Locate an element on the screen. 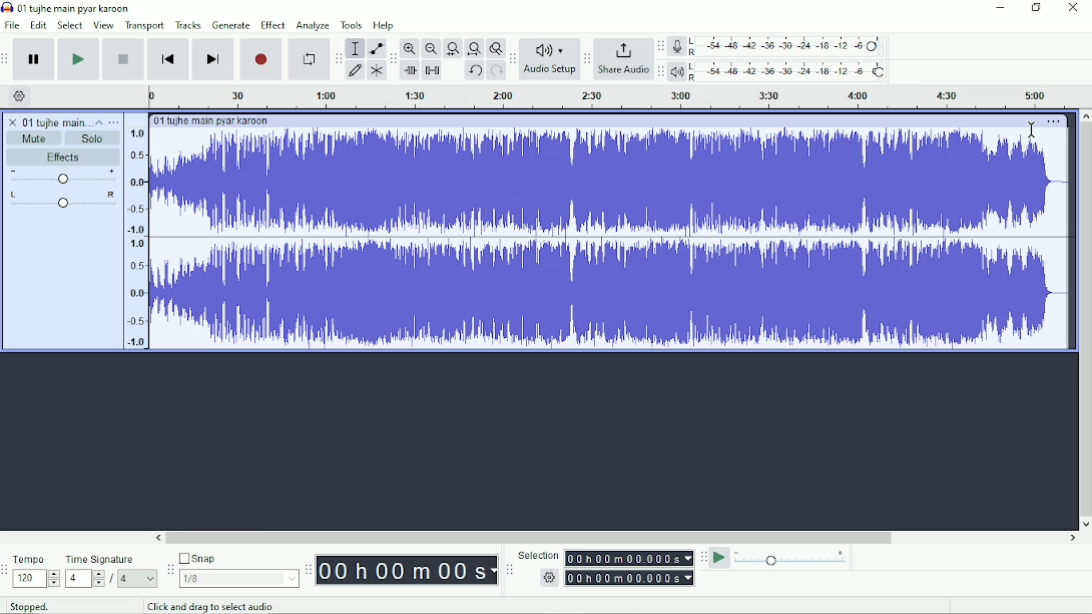  close is located at coordinates (11, 121).